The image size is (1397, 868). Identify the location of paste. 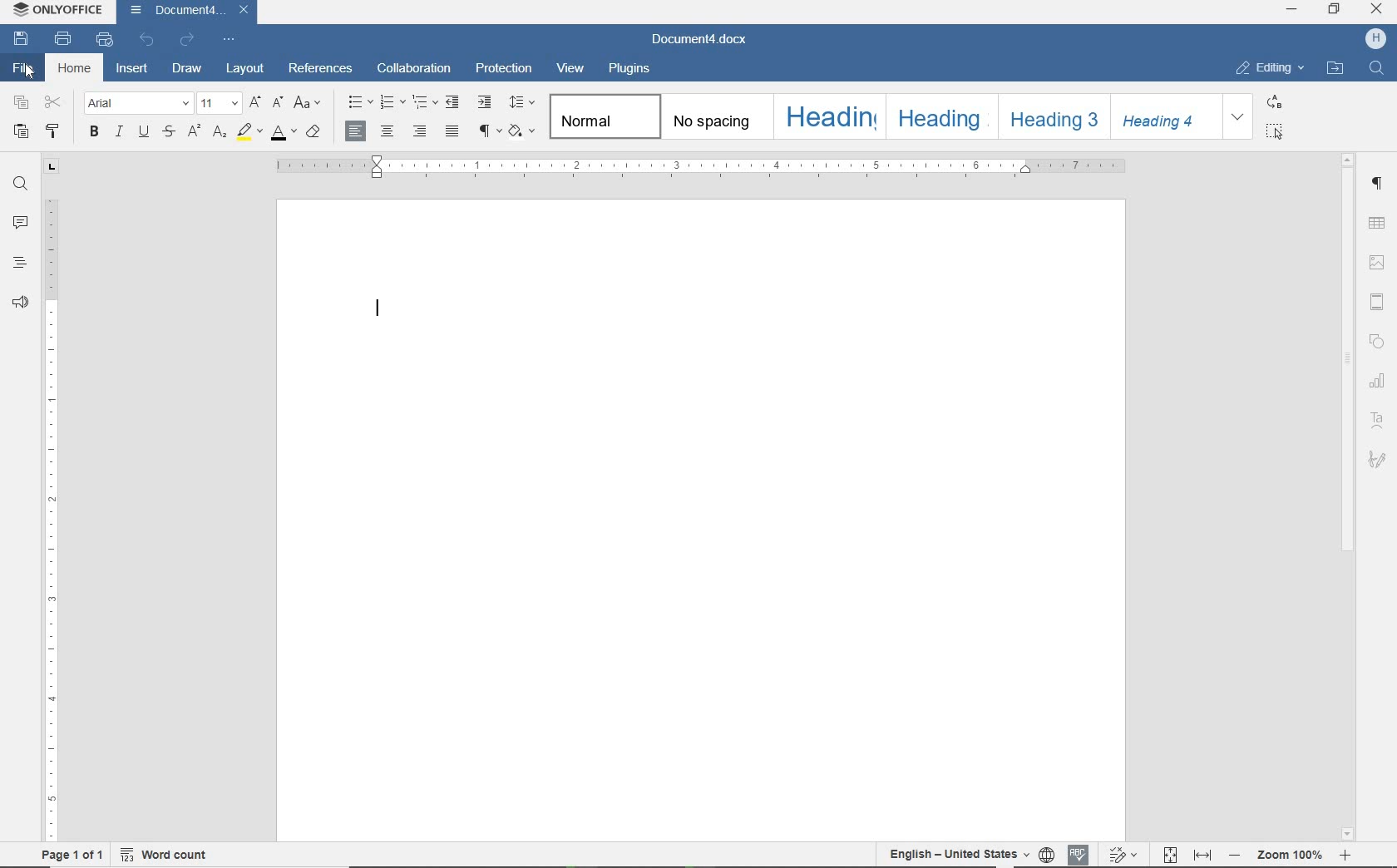
(22, 133).